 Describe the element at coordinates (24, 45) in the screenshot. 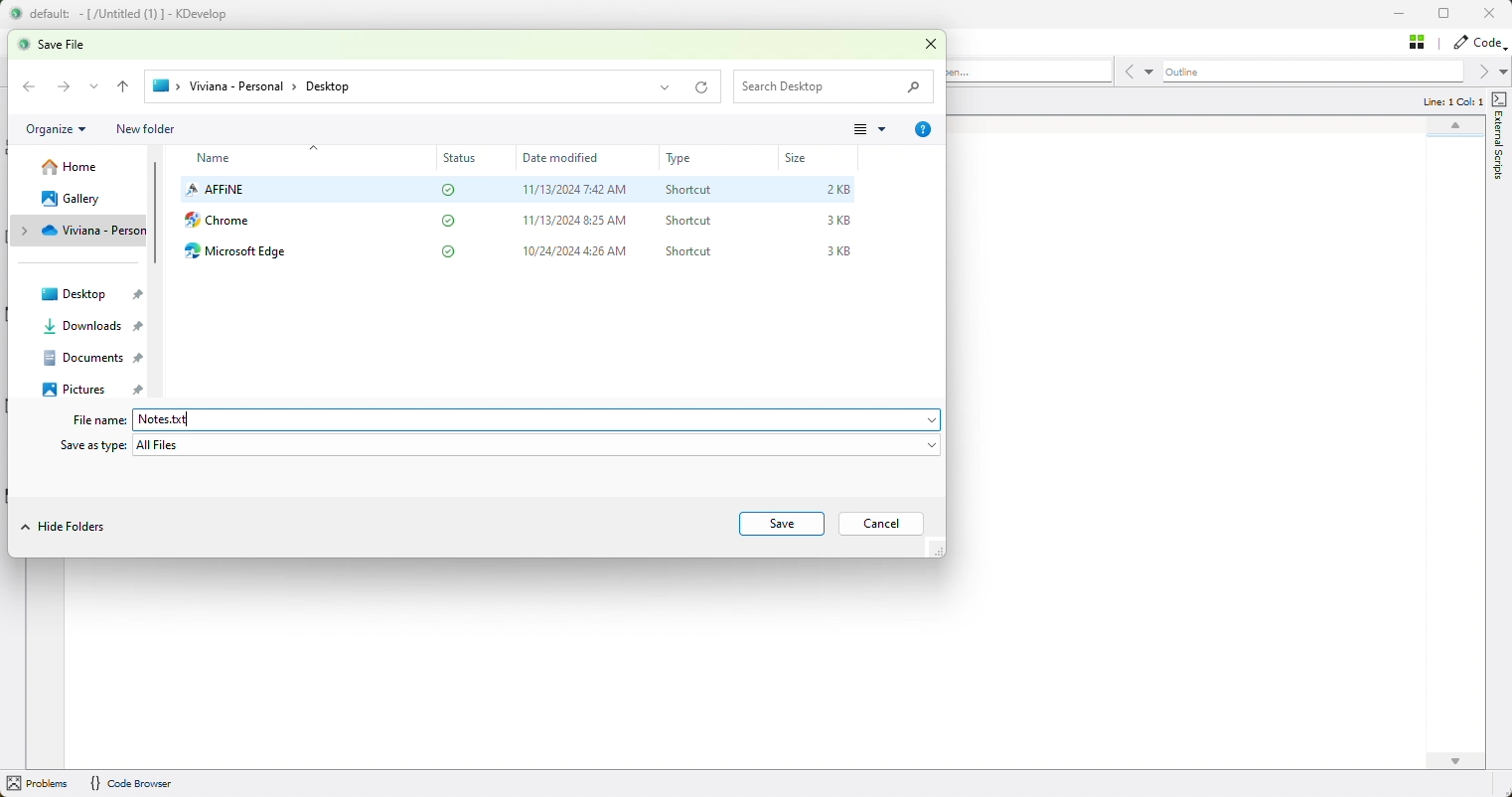

I see `logo` at that location.